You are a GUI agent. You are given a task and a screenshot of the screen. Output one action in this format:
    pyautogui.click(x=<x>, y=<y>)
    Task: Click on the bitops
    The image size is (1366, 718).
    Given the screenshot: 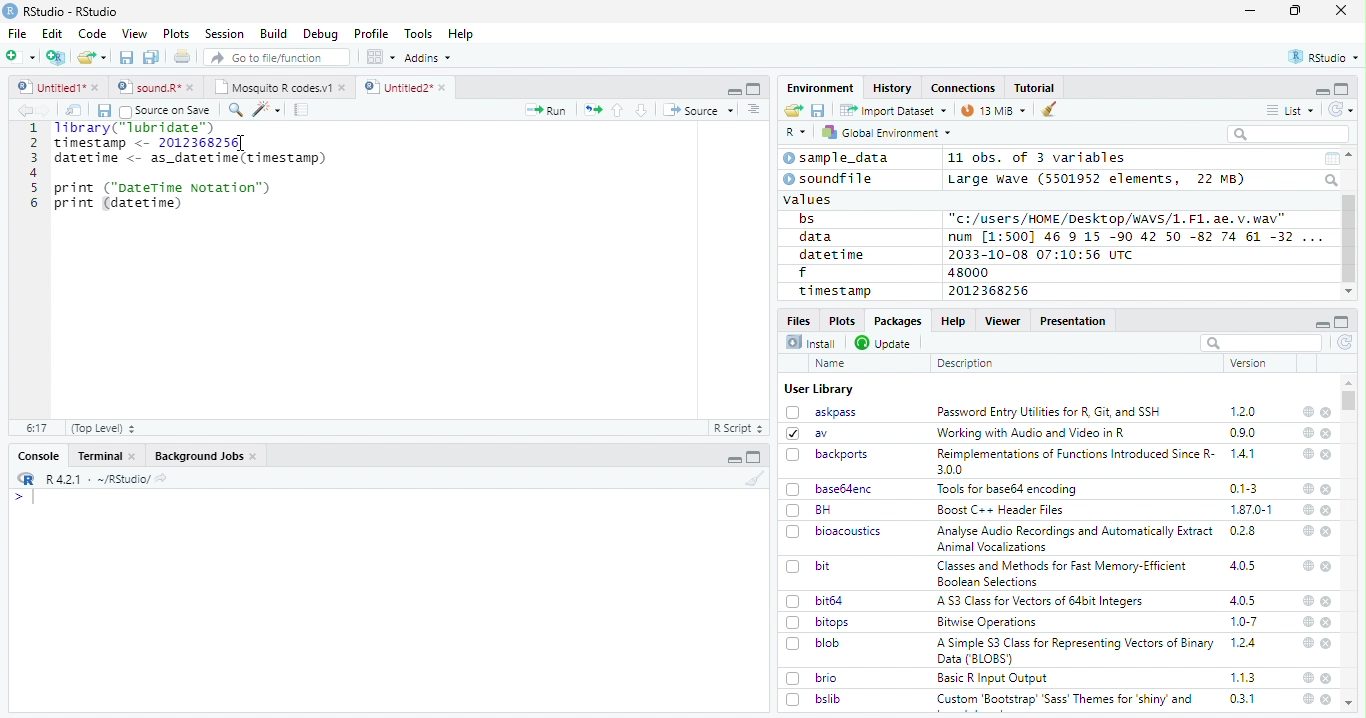 What is the action you would take?
    pyautogui.click(x=819, y=622)
    